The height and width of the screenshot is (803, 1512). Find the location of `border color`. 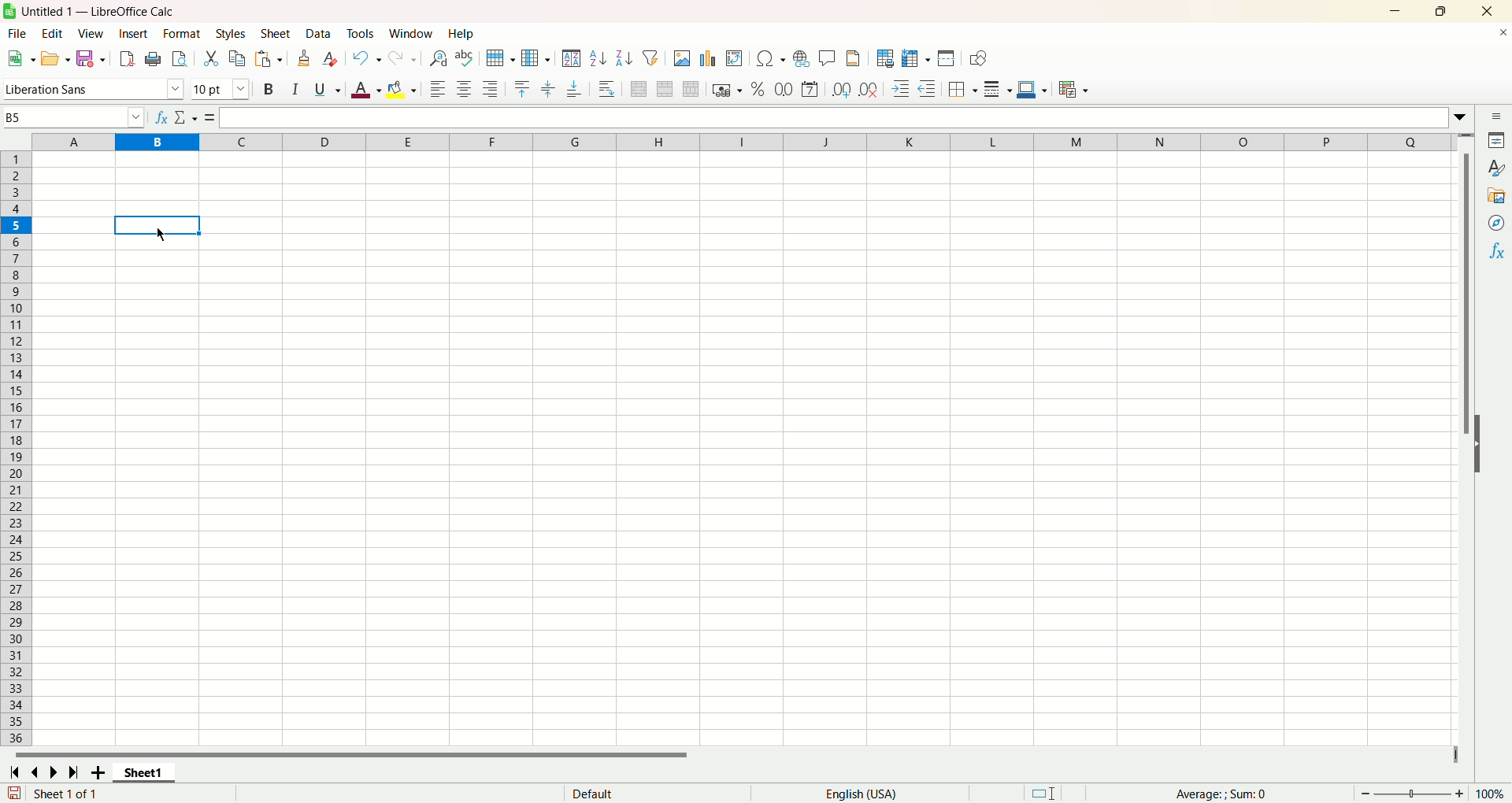

border color is located at coordinates (1032, 91).